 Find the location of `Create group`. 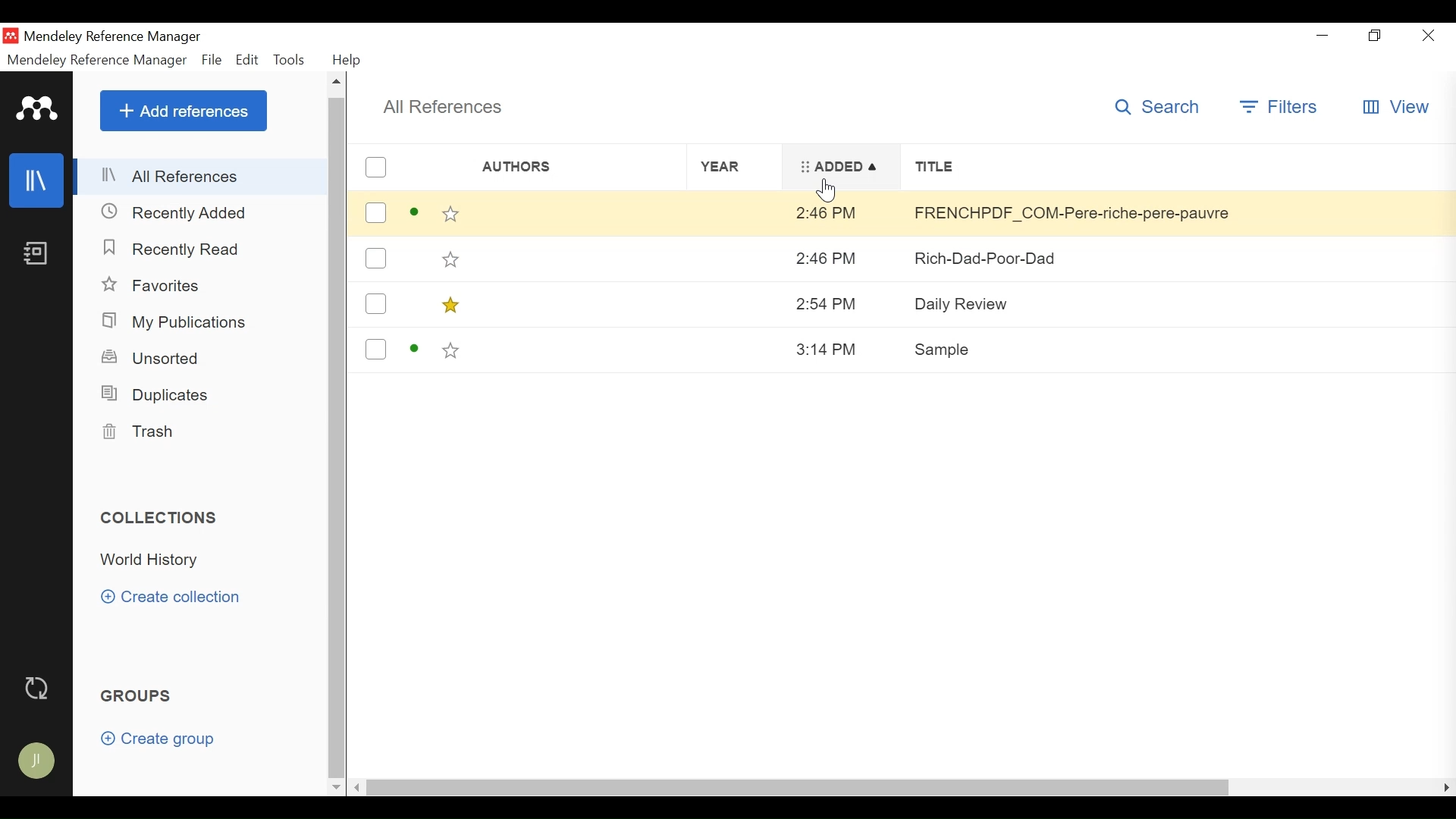

Create group is located at coordinates (165, 741).